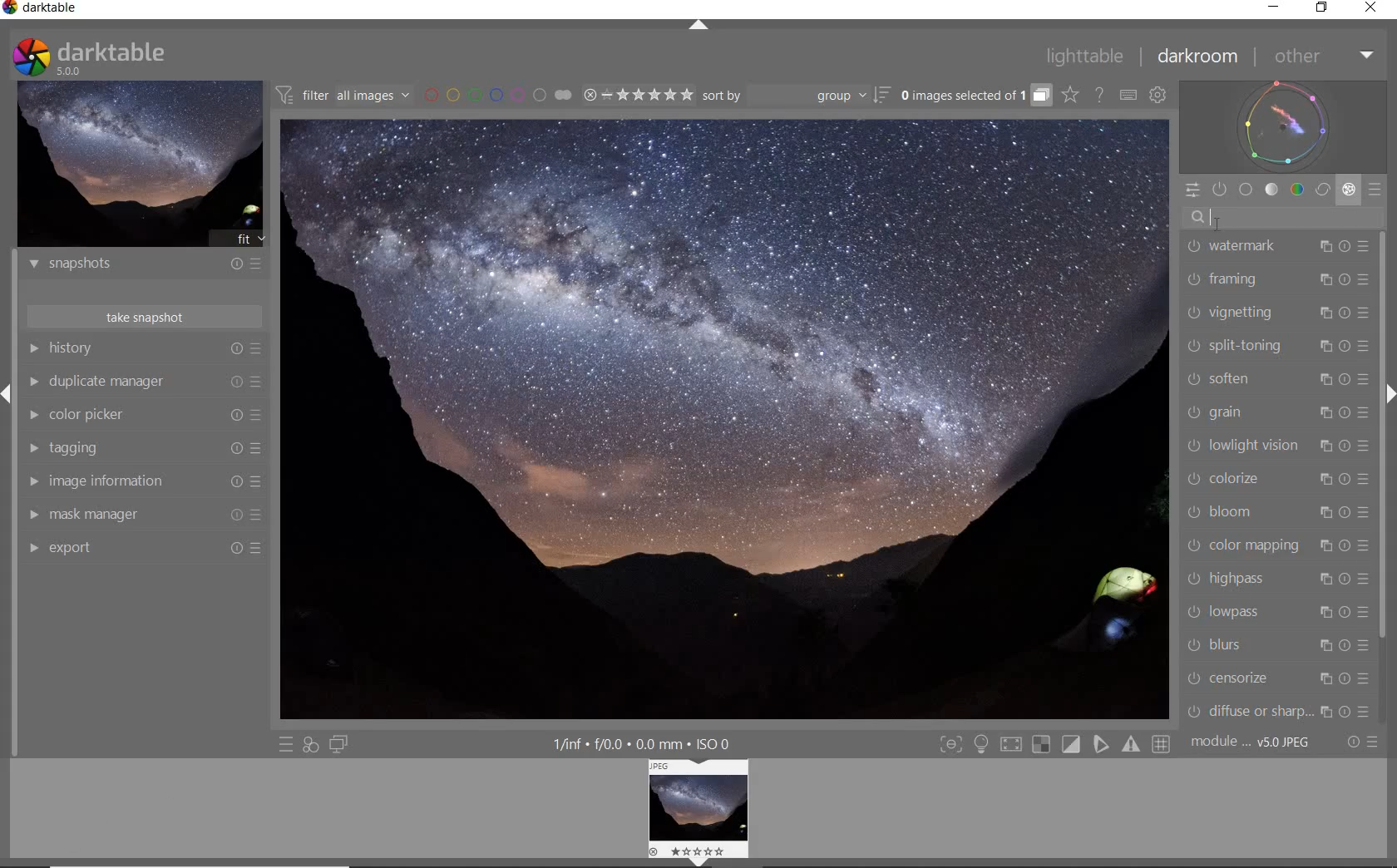 This screenshot has height=868, width=1397. Describe the element at coordinates (1221, 512) in the screenshot. I see `BLOOM` at that location.